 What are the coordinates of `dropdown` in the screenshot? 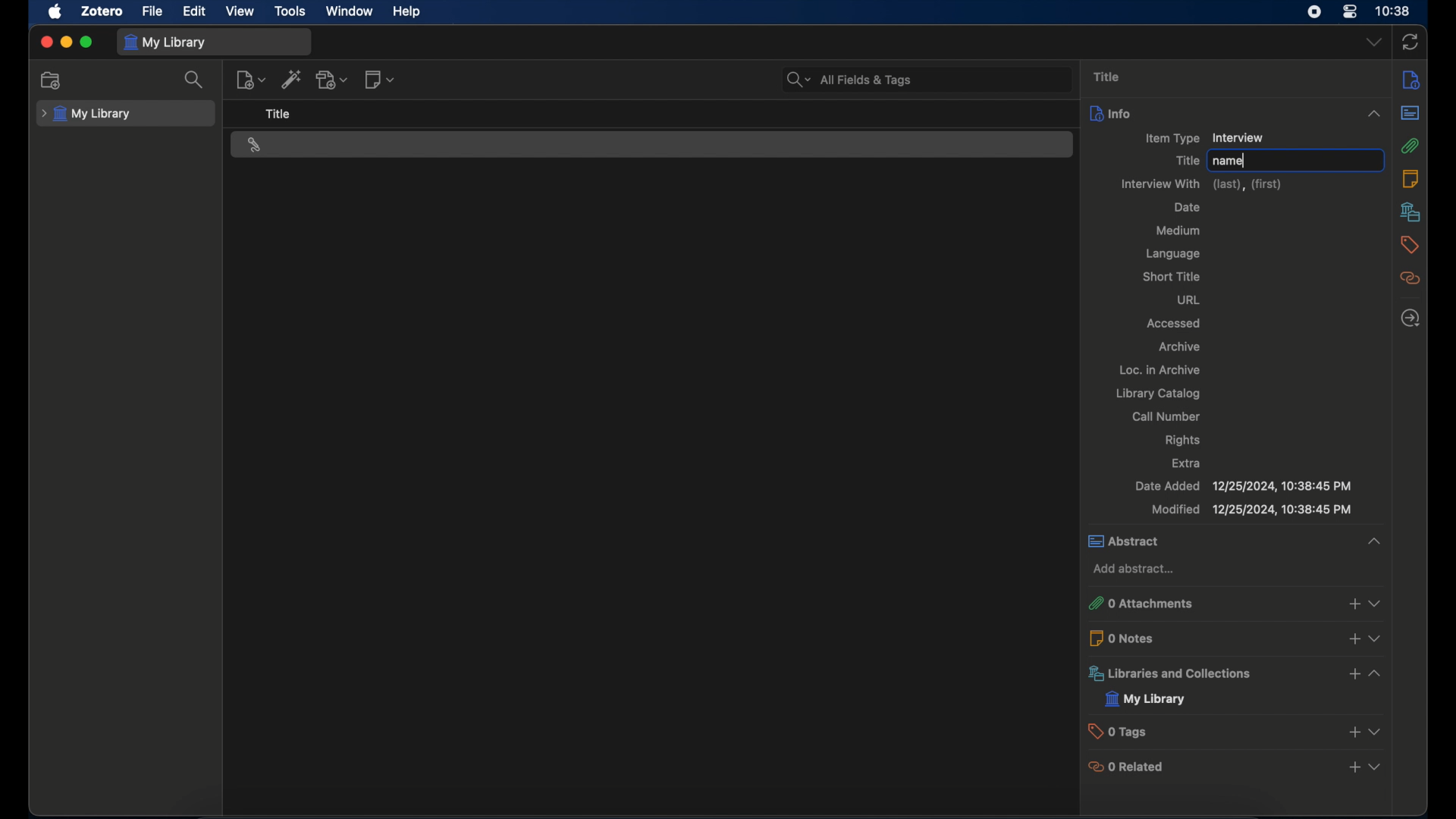 It's located at (1375, 42).